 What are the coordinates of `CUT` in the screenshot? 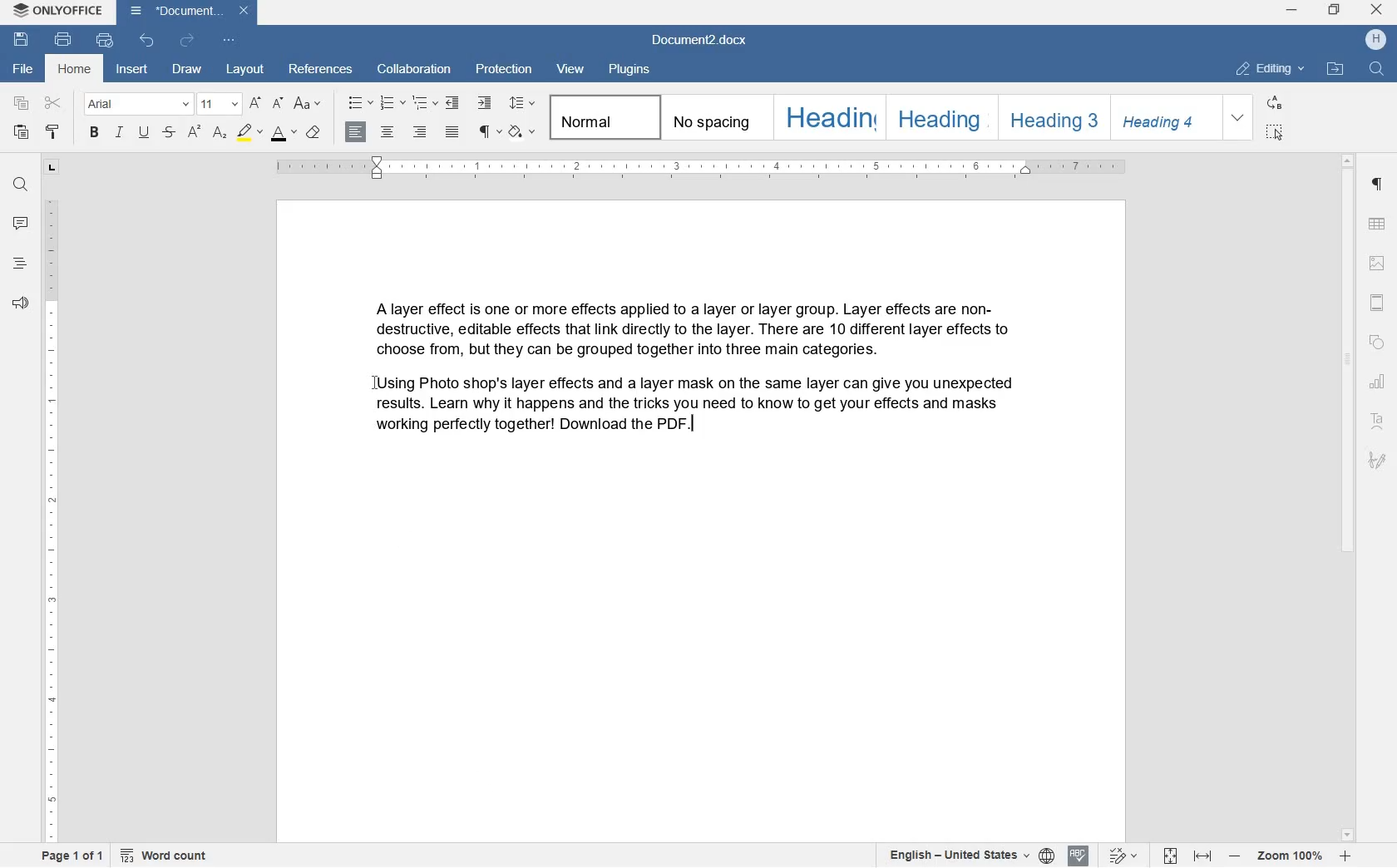 It's located at (54, 103).